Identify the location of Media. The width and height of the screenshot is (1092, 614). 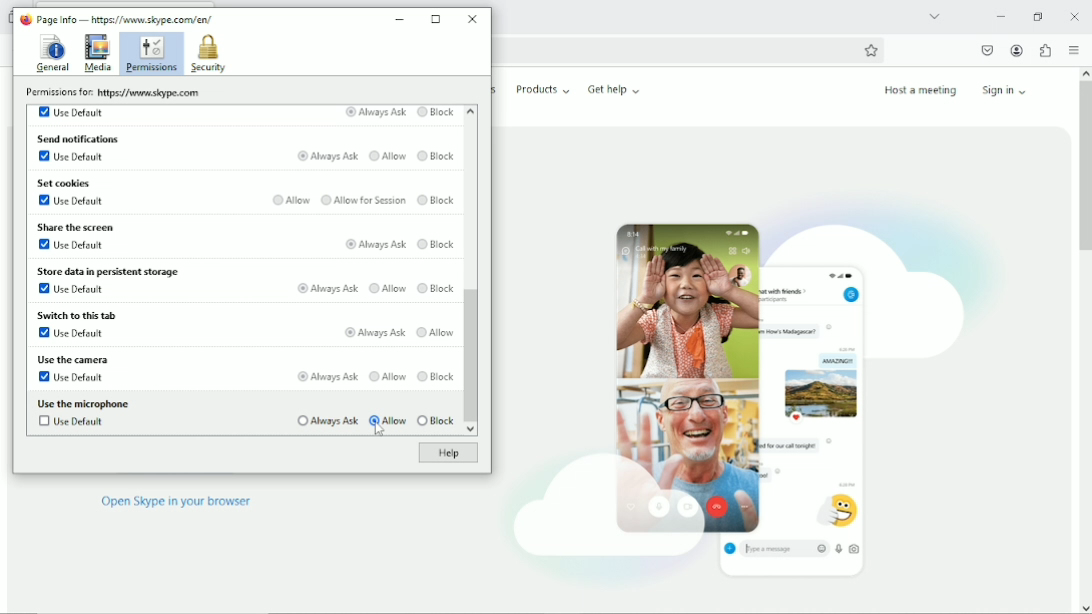
(97, 53).